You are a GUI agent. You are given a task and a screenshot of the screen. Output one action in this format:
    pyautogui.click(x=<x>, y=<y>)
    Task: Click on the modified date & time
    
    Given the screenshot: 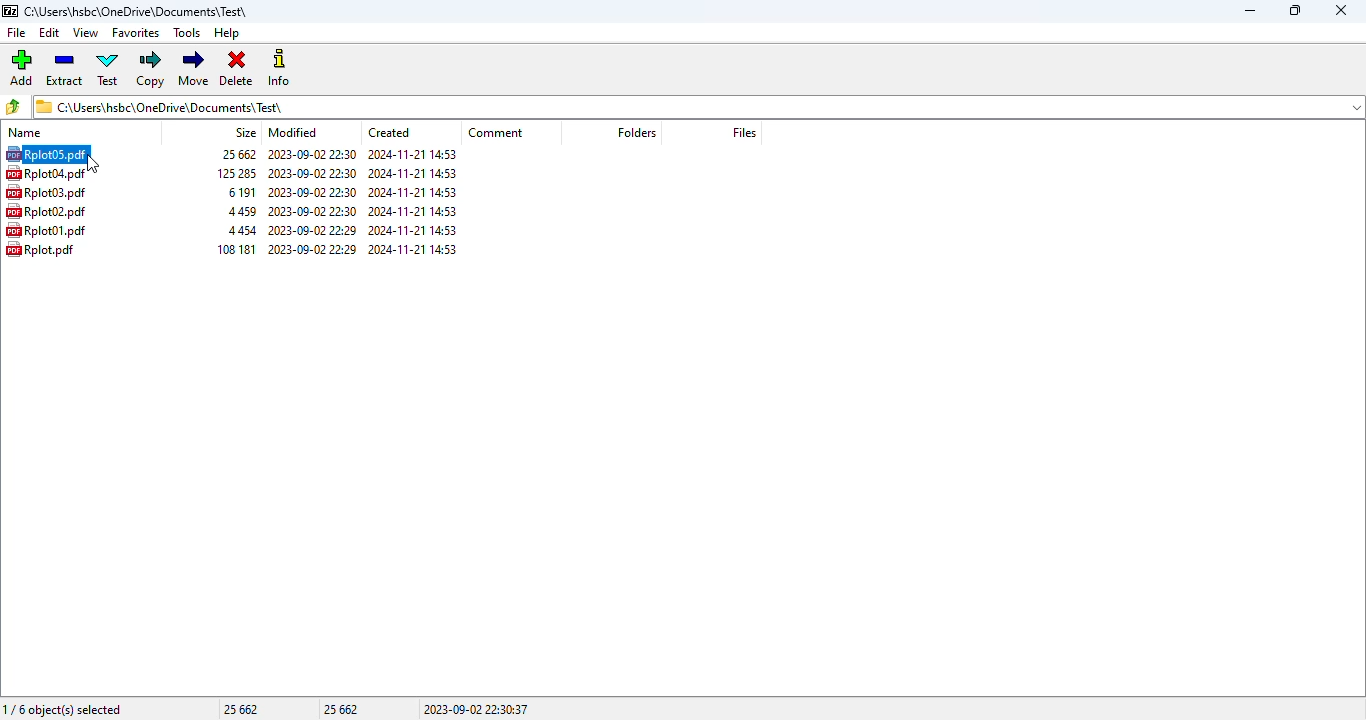 What is the action you would take?
    pyautogui.click(x=314, y=173)
    